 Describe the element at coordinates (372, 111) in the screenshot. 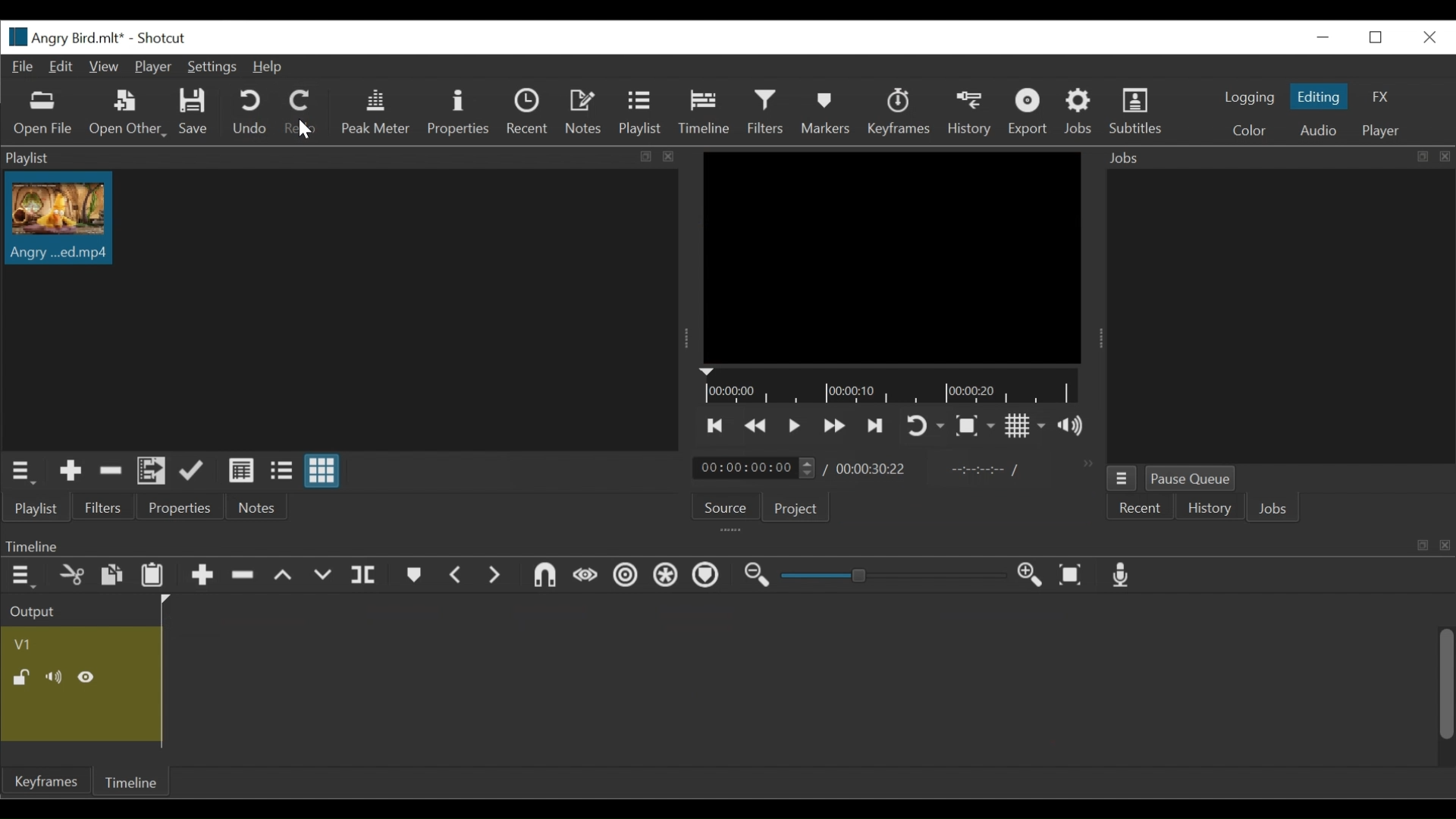

I see `Peak Meter` at that location.